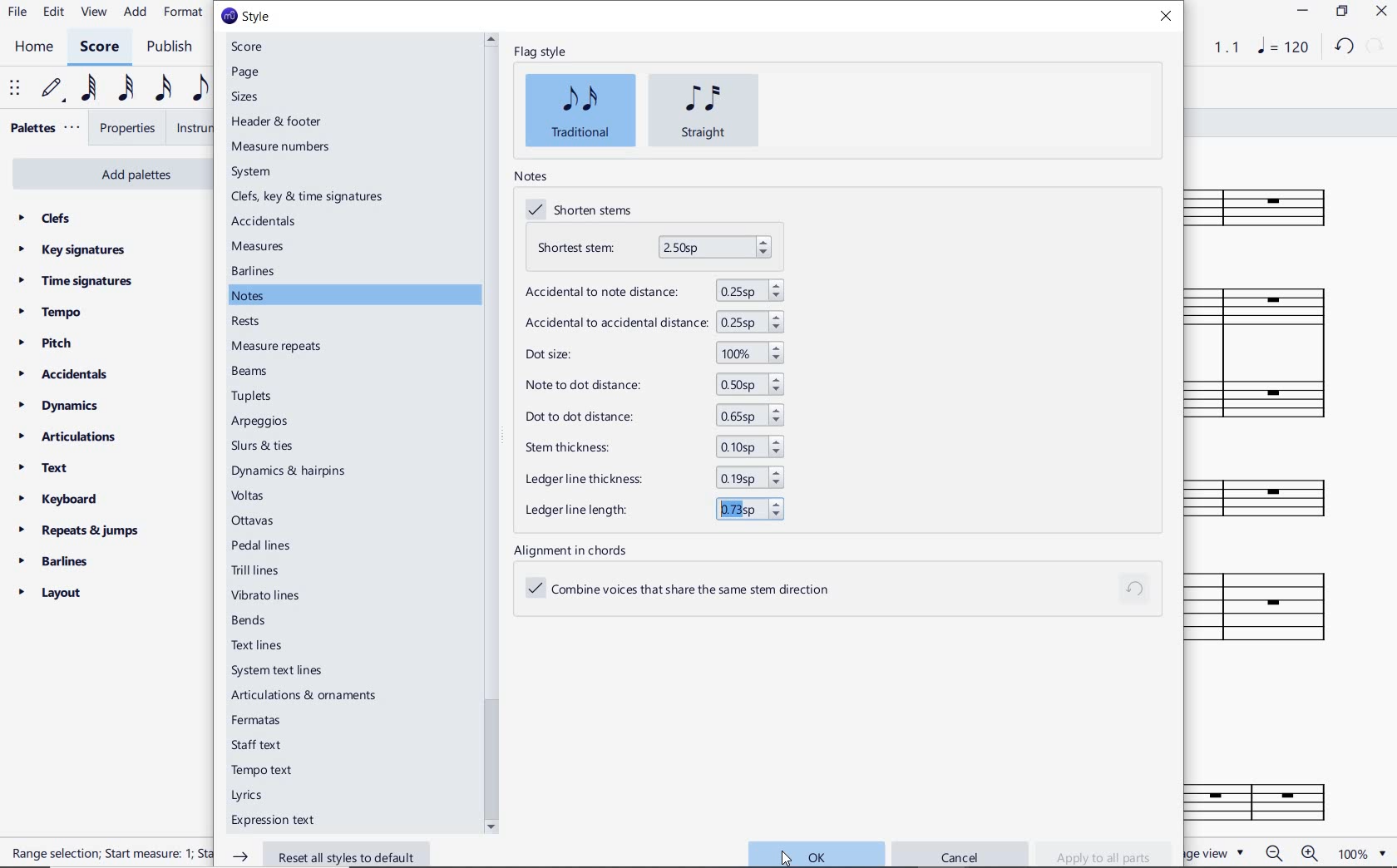  What do you see at coordinates (277, 348) in the screenshot?
I see `measure repeats` at bounding box center [277, 348].